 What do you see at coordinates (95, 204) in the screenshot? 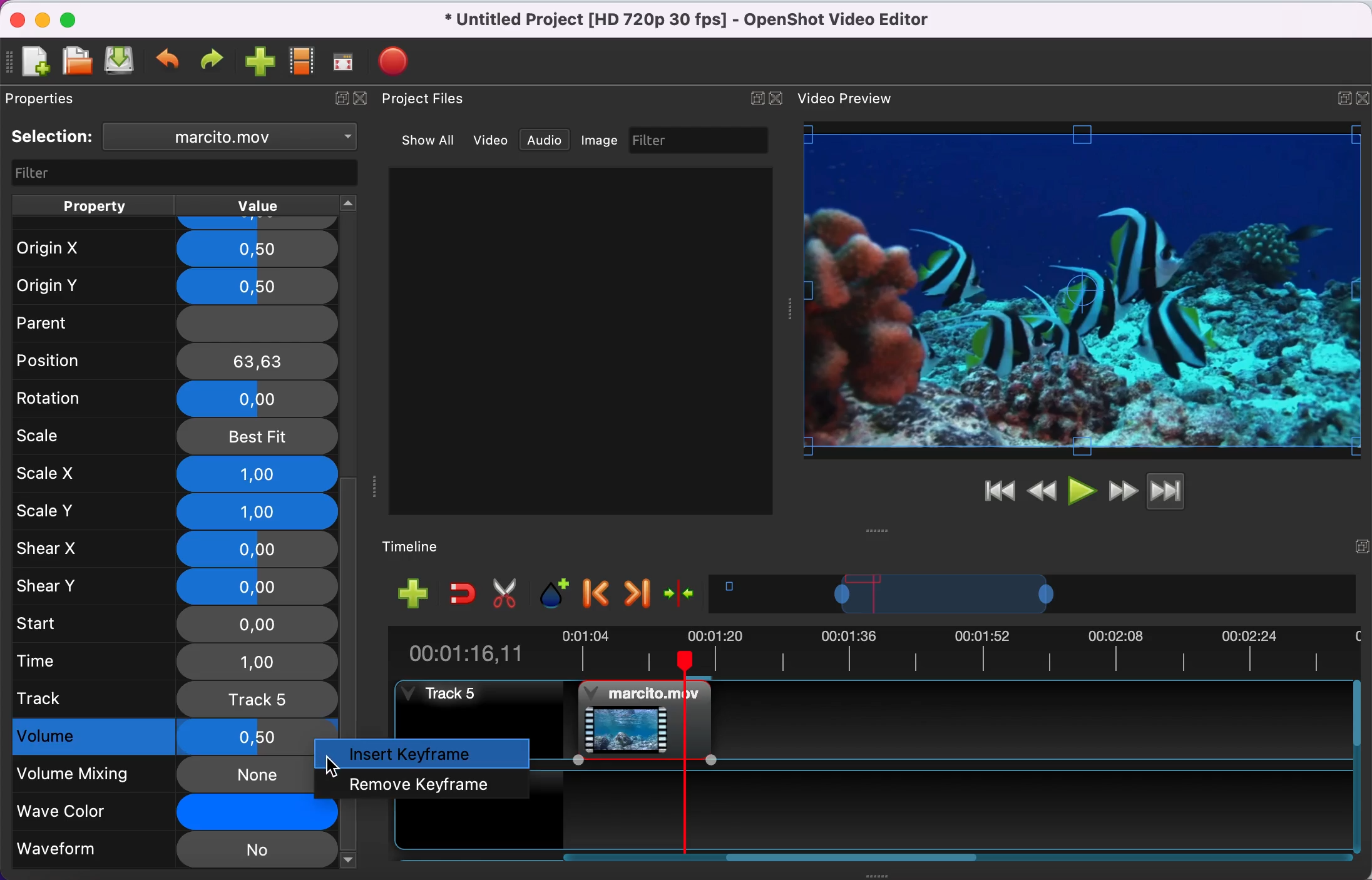
I see `property` at bounding box center [95, 204].